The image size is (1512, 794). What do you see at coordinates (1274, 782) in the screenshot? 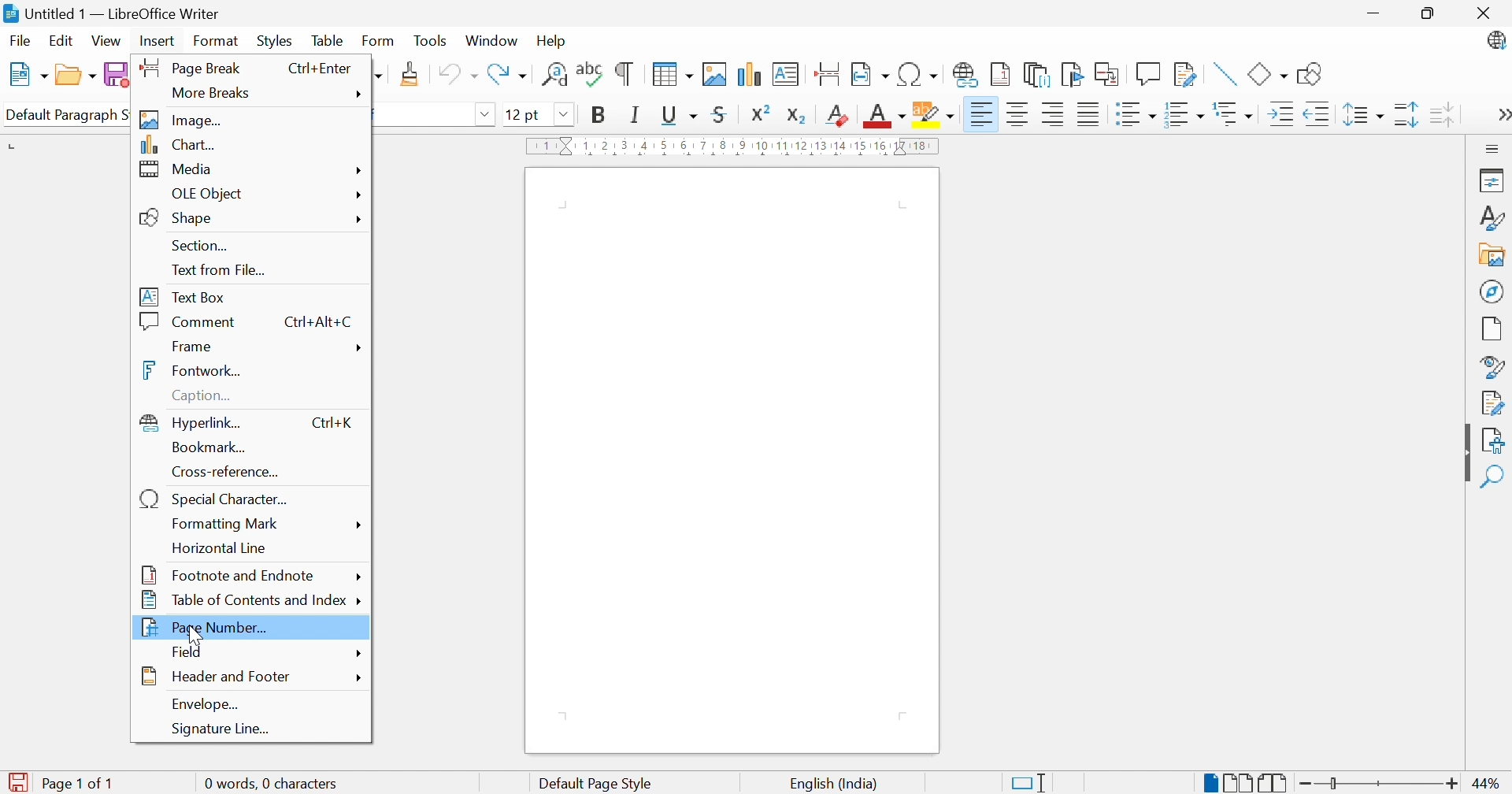
I see `Book view` at bounding box center [1274, 782].